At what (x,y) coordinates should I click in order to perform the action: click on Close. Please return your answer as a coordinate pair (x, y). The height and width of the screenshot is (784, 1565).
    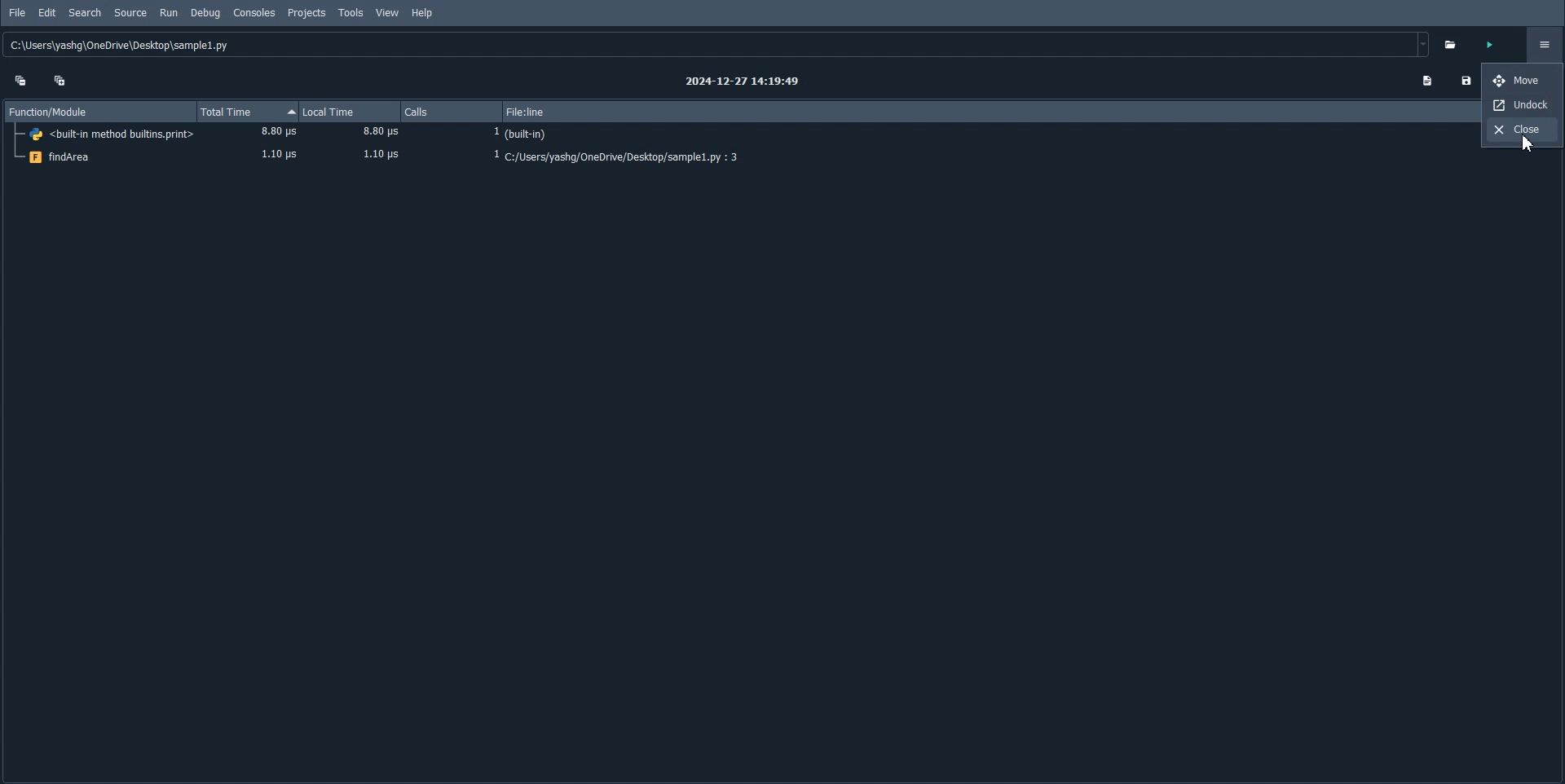
    Looking at the image, I should click on (1525, 129).